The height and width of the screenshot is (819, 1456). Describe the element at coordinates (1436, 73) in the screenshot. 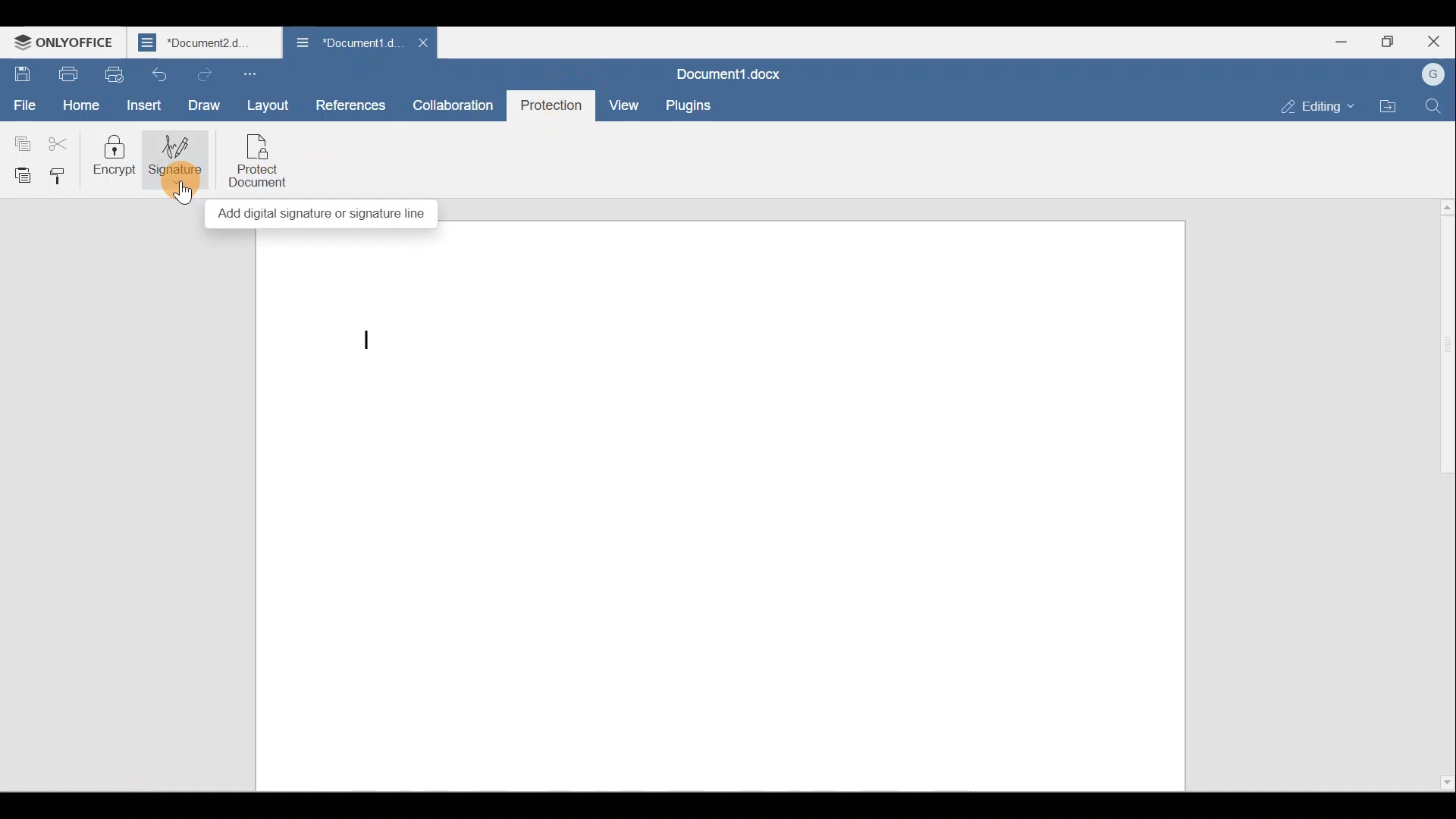

I see `Account name` at that location.